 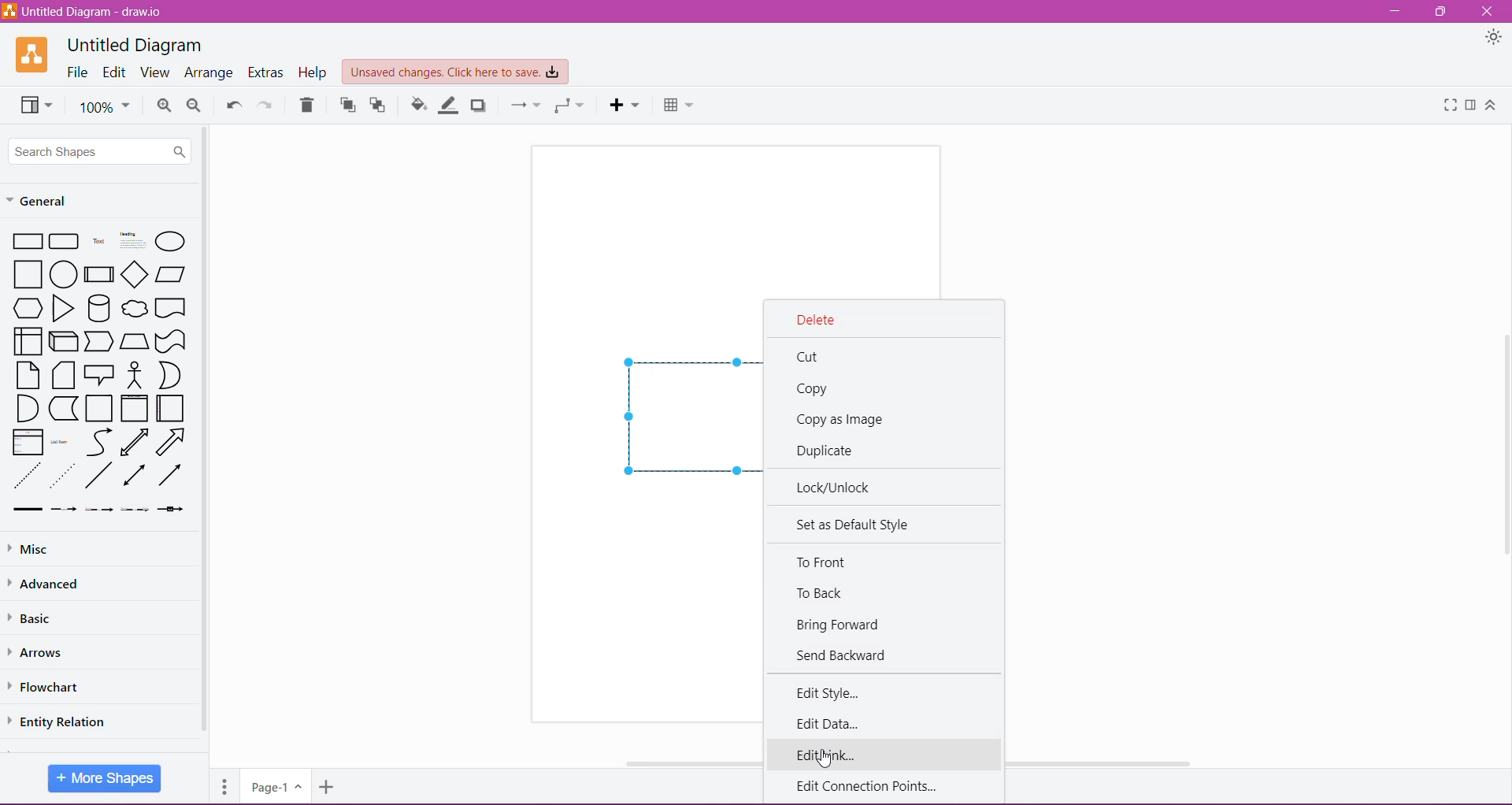 What do you see at coordinates (1505, 468) in the screenshot?
I see `scroll bar` at bounding box center [1505, 468].